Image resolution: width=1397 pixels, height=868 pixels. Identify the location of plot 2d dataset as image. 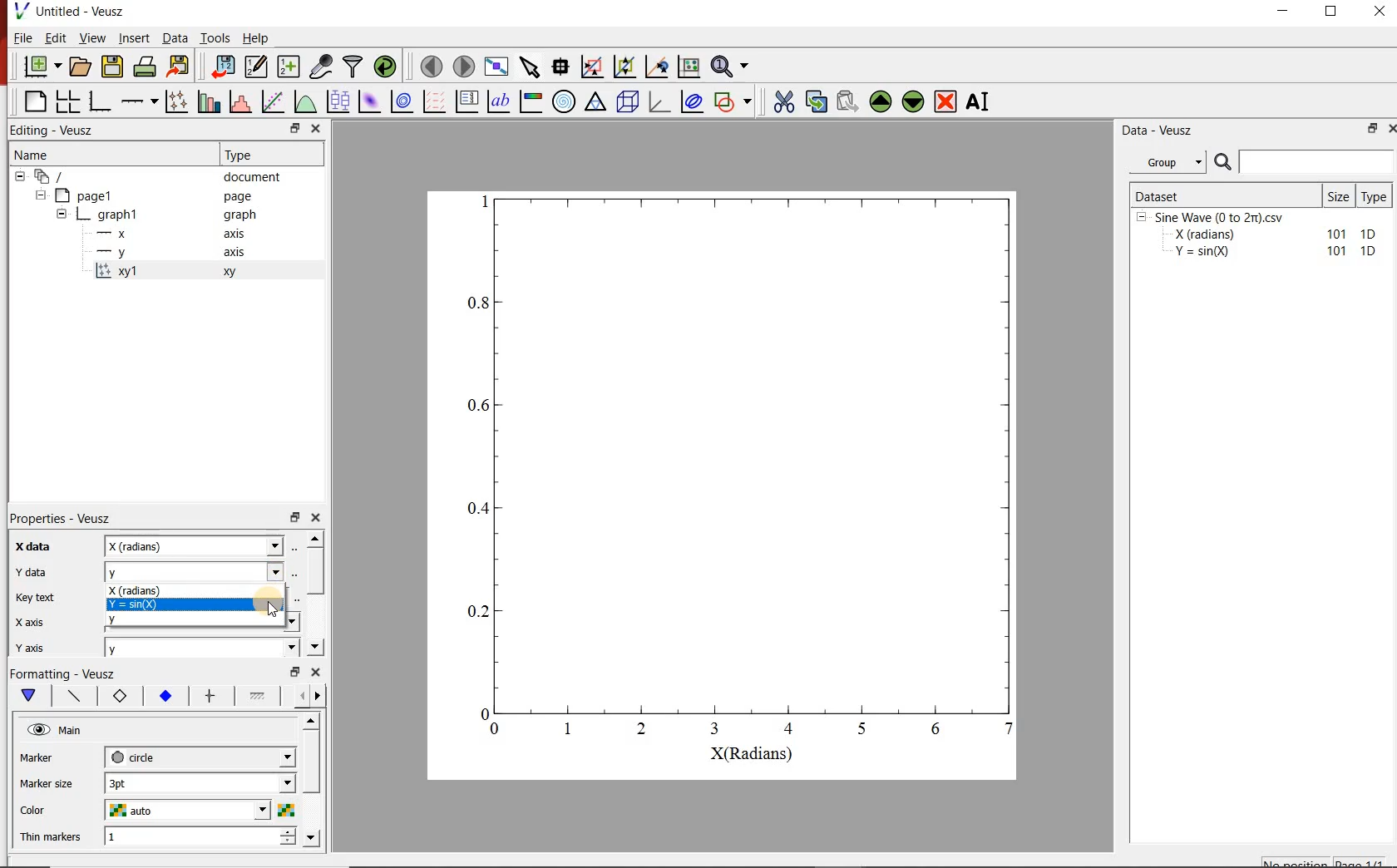
(370, 101).